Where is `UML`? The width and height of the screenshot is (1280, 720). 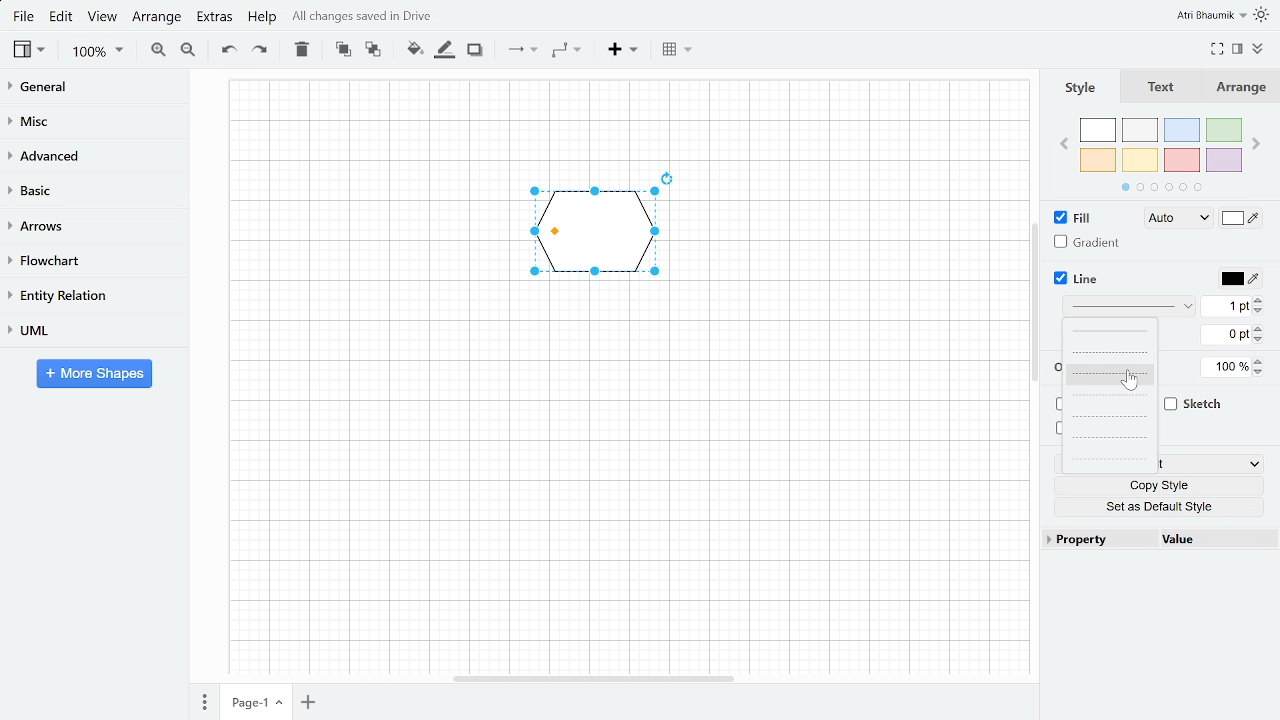
UML is located at coordinates (90, 331).